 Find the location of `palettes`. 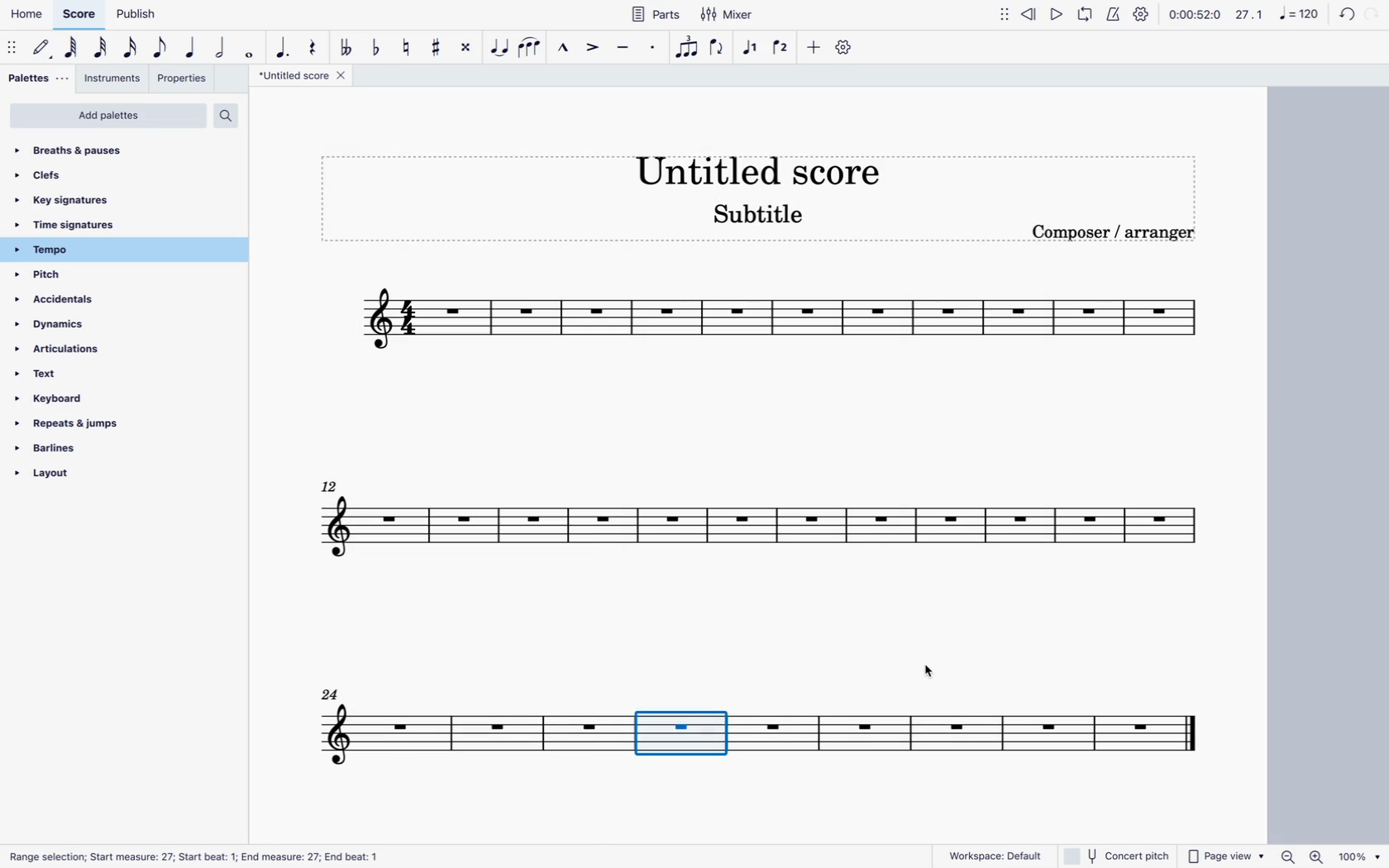

palettes is located at coordinates (36, 78).